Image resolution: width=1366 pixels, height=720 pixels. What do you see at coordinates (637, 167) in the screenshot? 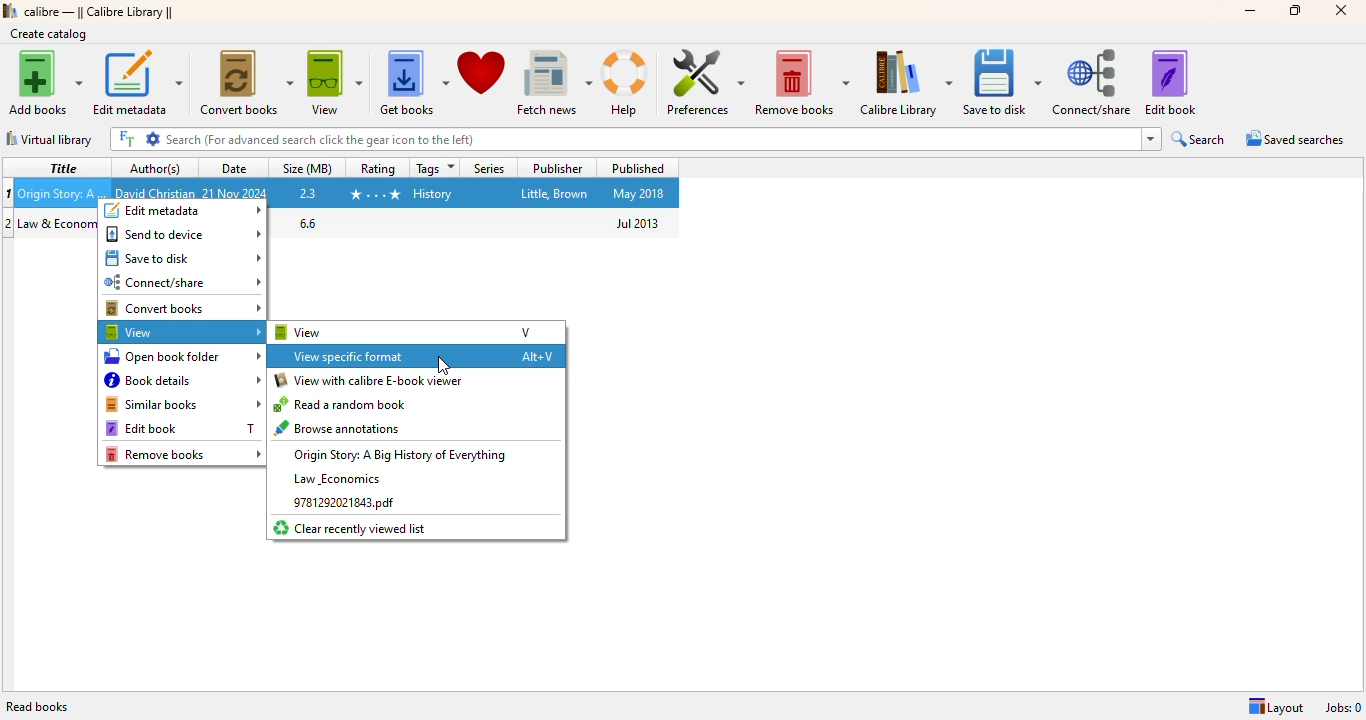
I see `published` at bounding box center [637, 167].